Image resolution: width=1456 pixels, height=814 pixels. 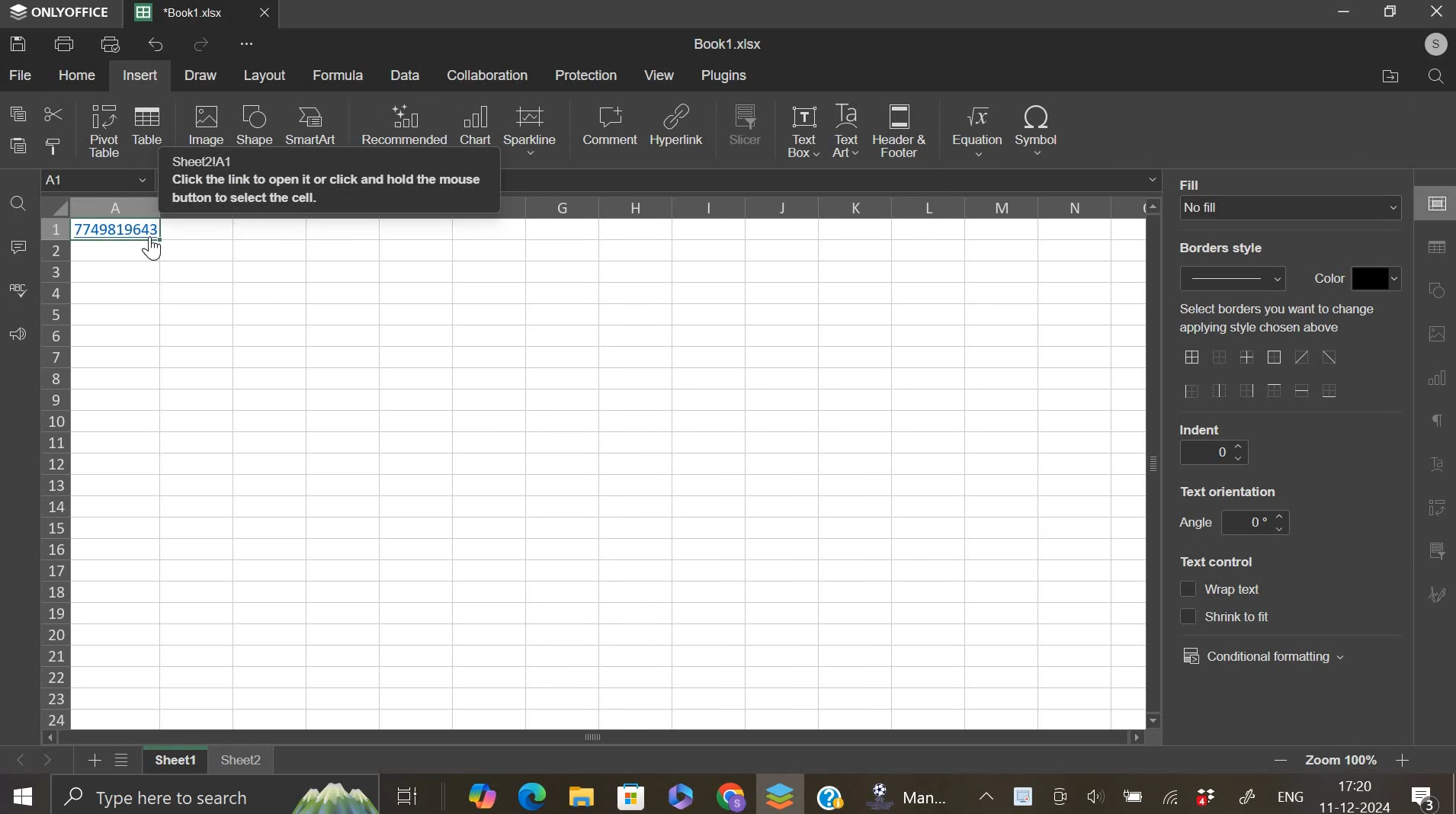 What do you see at coordinates (1196, 183) in the screenshot?
I see `text` at bounding box center [1196, 183].